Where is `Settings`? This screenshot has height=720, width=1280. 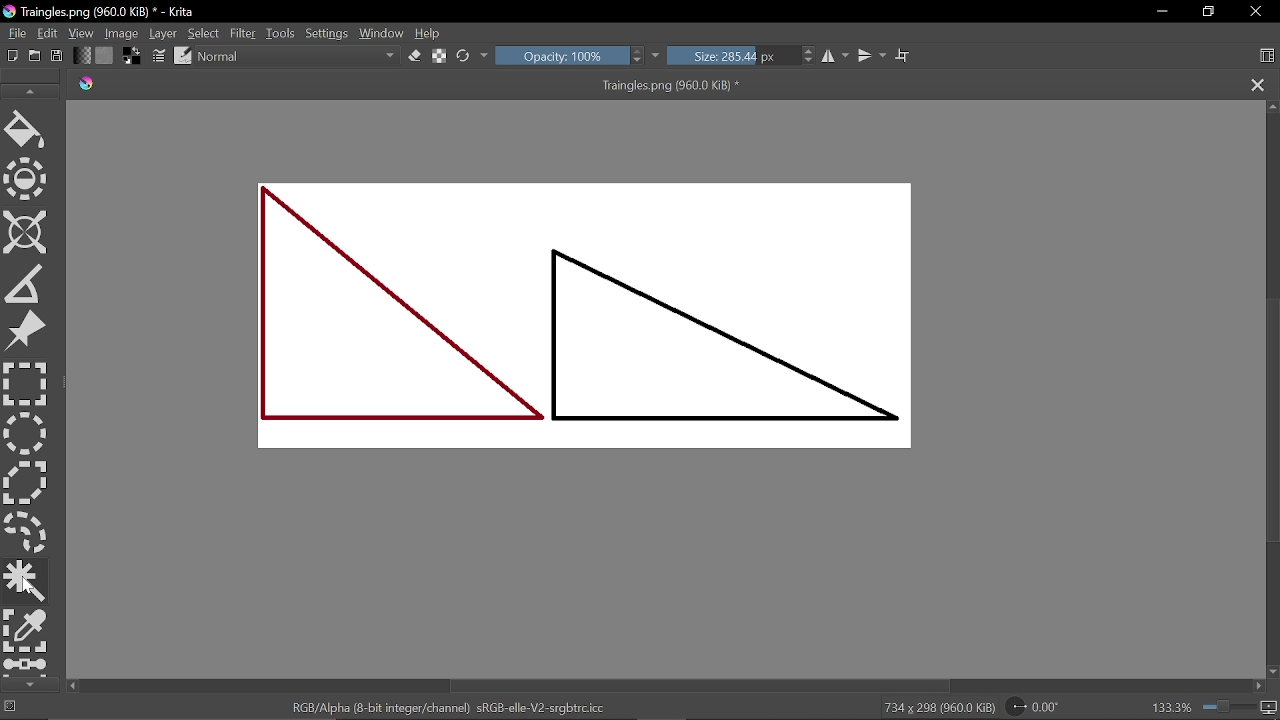 Settings is located at coordinates (329, 33).